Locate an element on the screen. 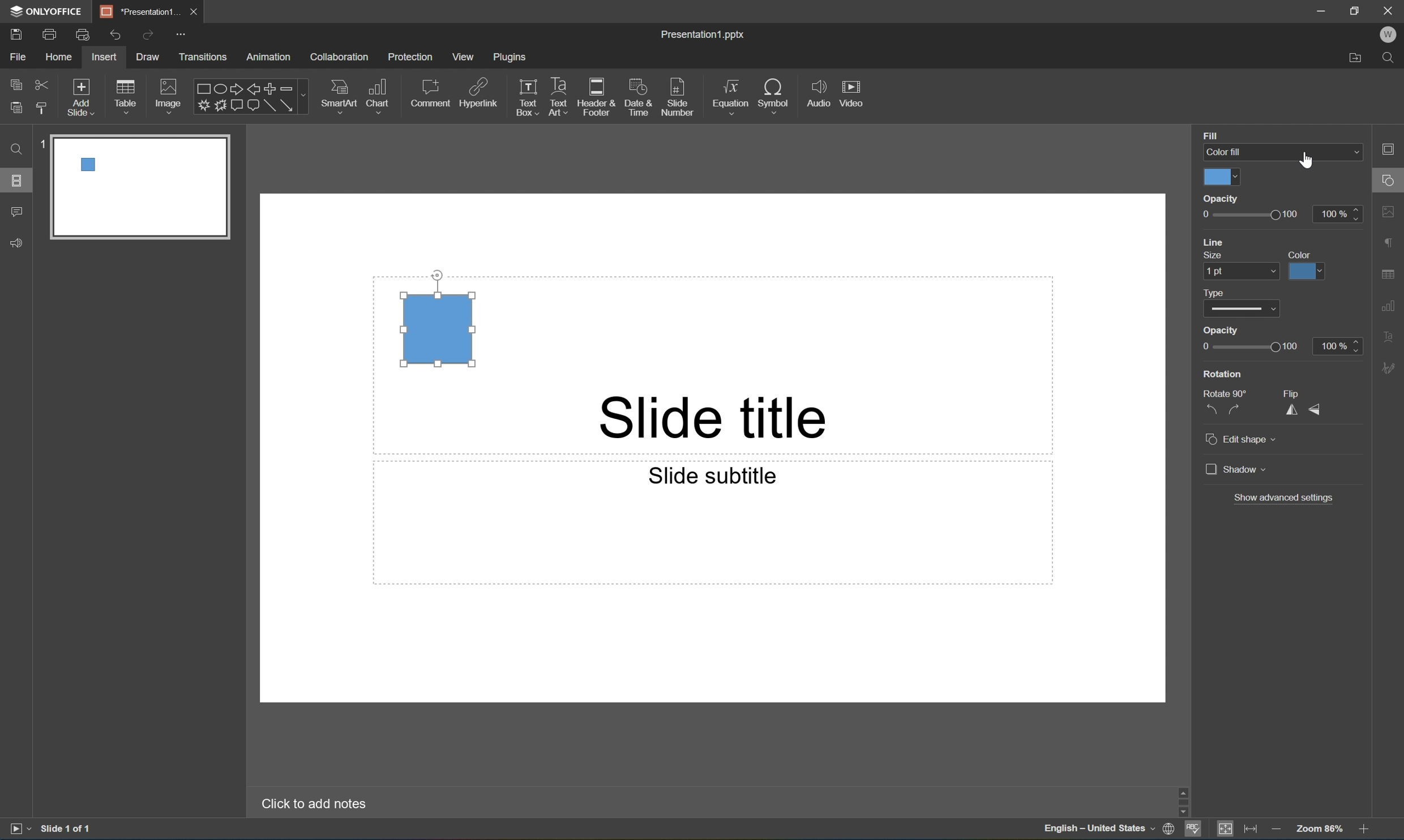  Text Art settings  is located at coordinates (1392, 335).